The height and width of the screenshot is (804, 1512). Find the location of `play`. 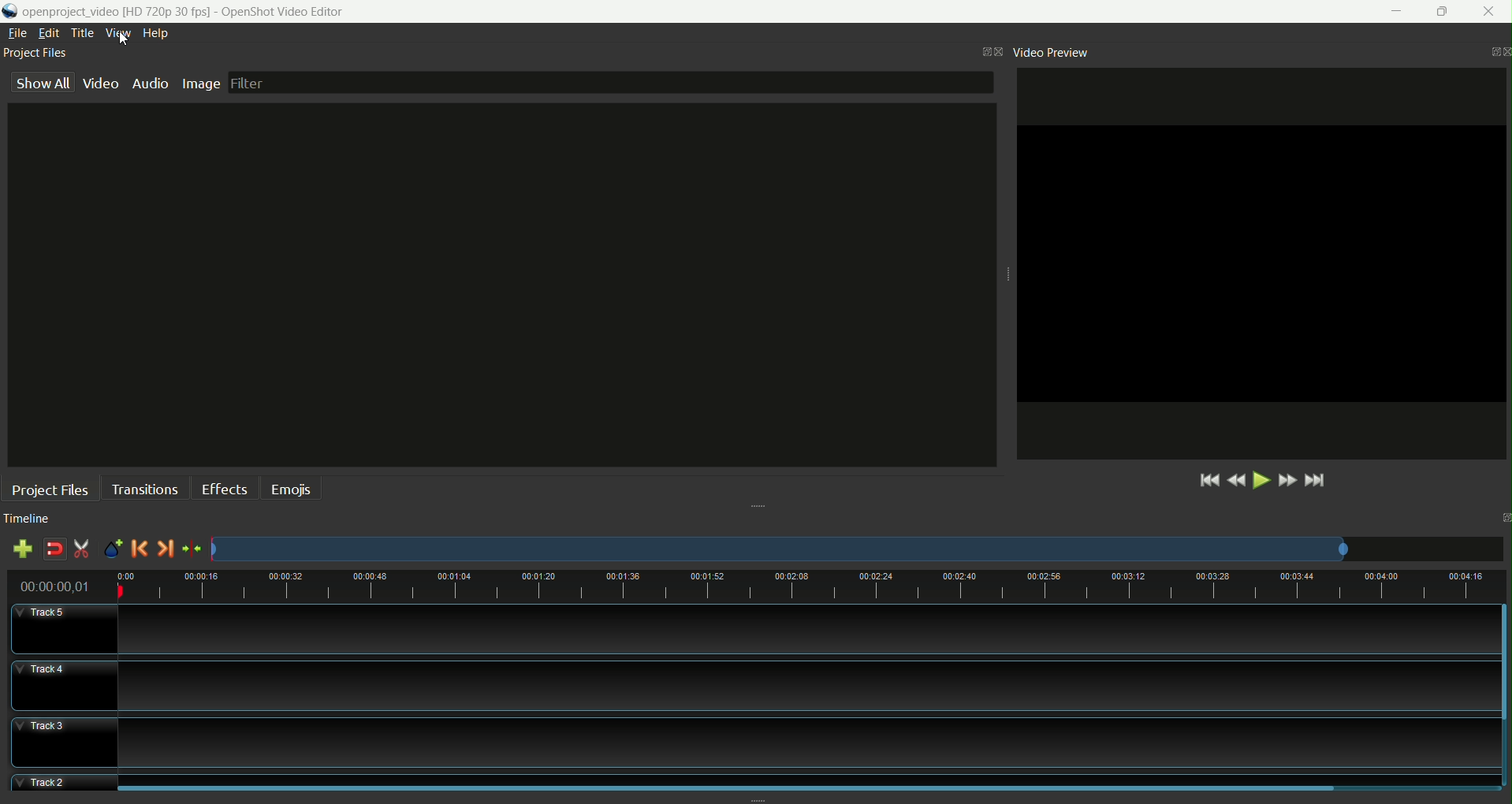

play is located at coordinates (1261, 482).